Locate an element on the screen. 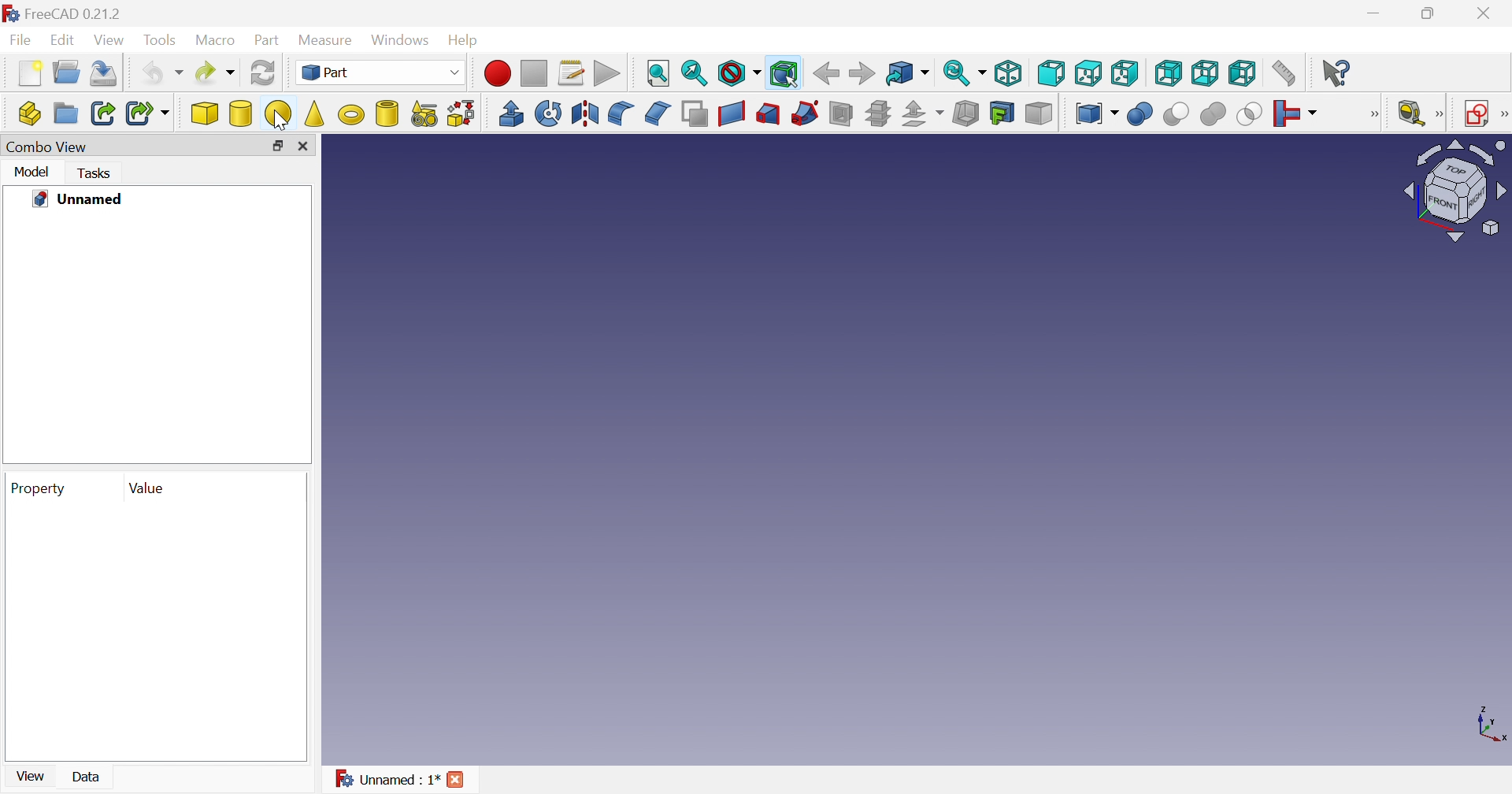 The height and width of the screenshot is (794, 1512). File is located at coordinates (20, 39).